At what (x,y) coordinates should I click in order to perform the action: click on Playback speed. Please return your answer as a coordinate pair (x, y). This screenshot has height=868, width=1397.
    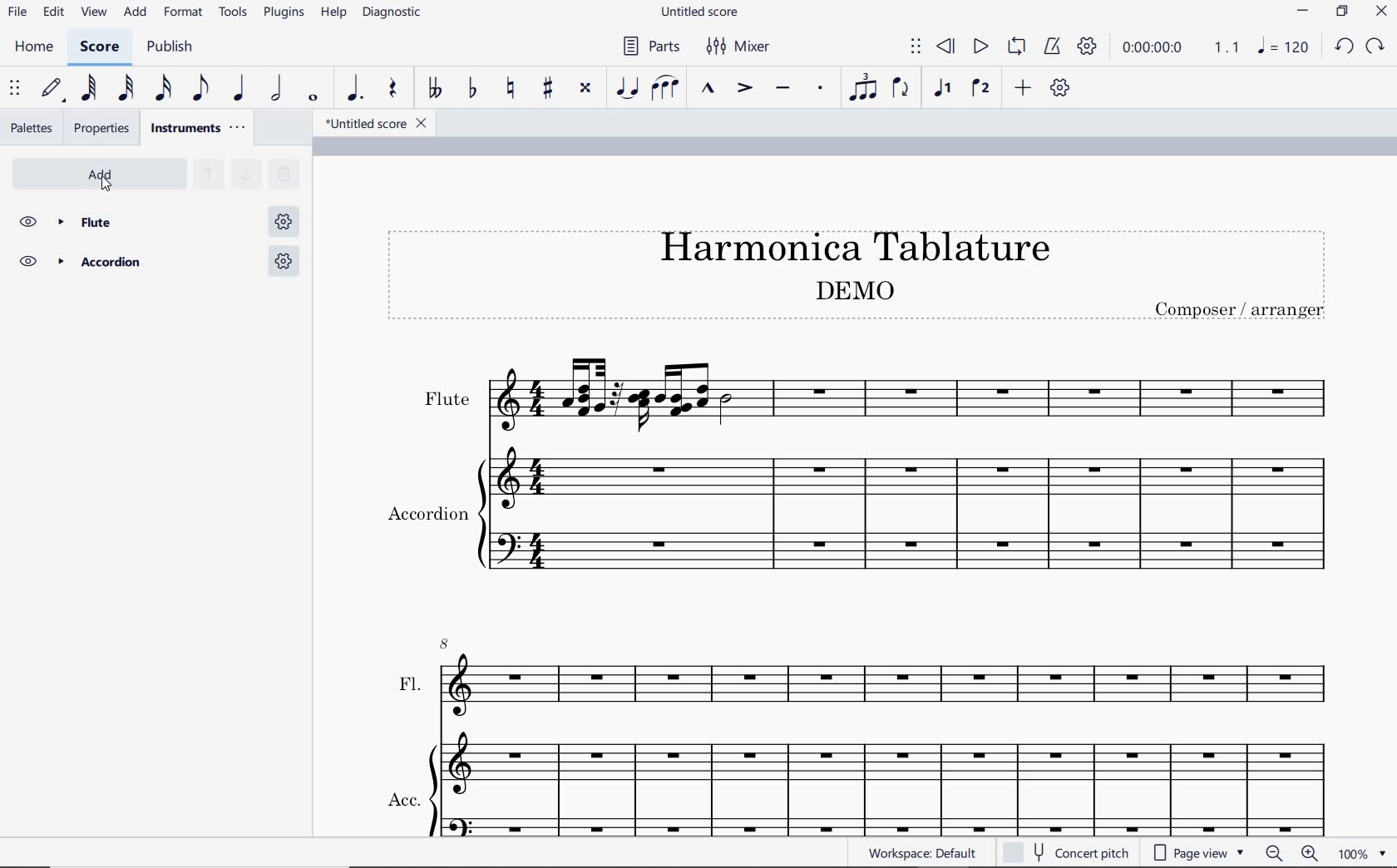
    Looking at the image, I should click on (1228, 47).